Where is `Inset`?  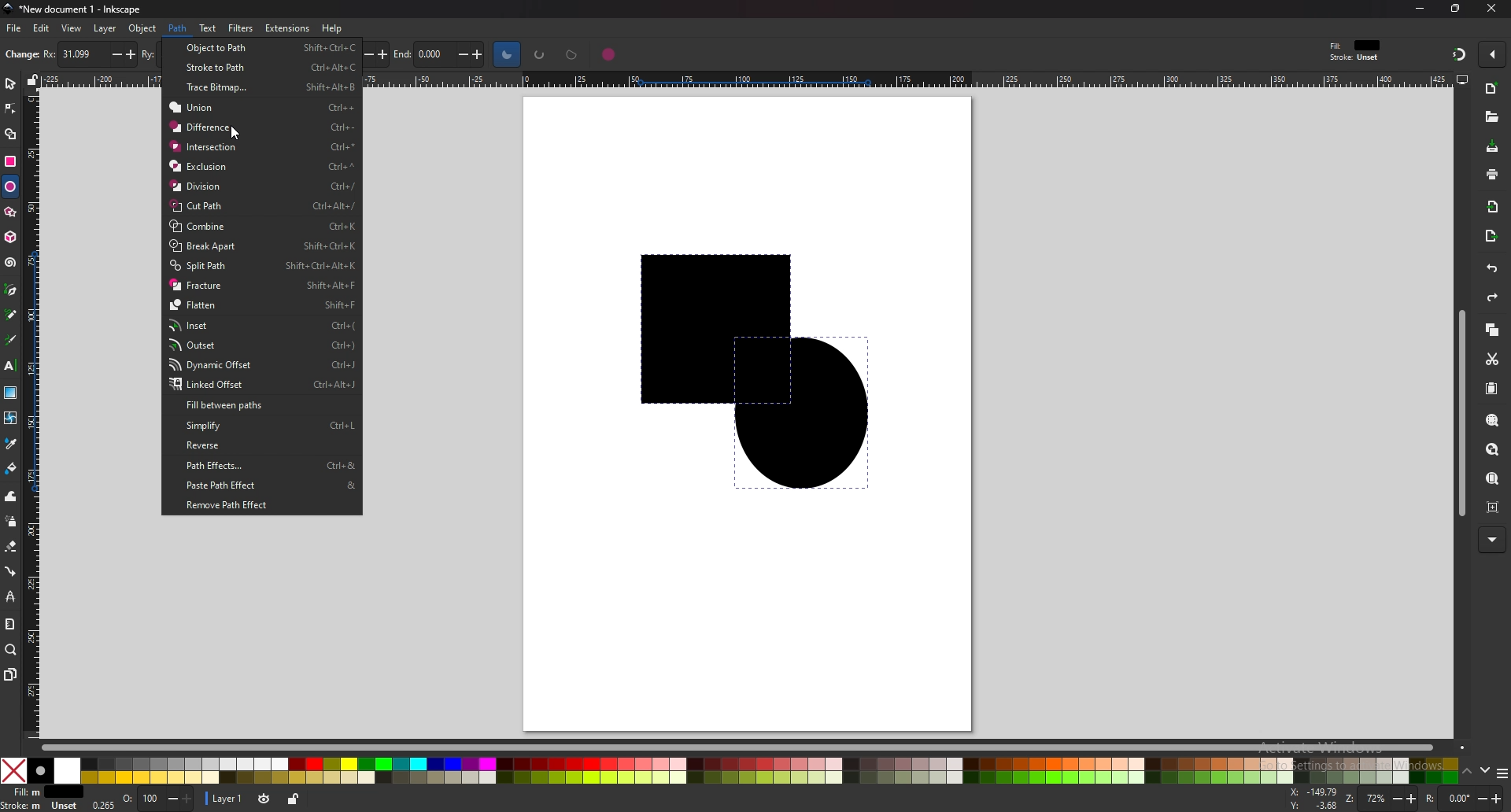
Inset is located at coordinates (257, 326).